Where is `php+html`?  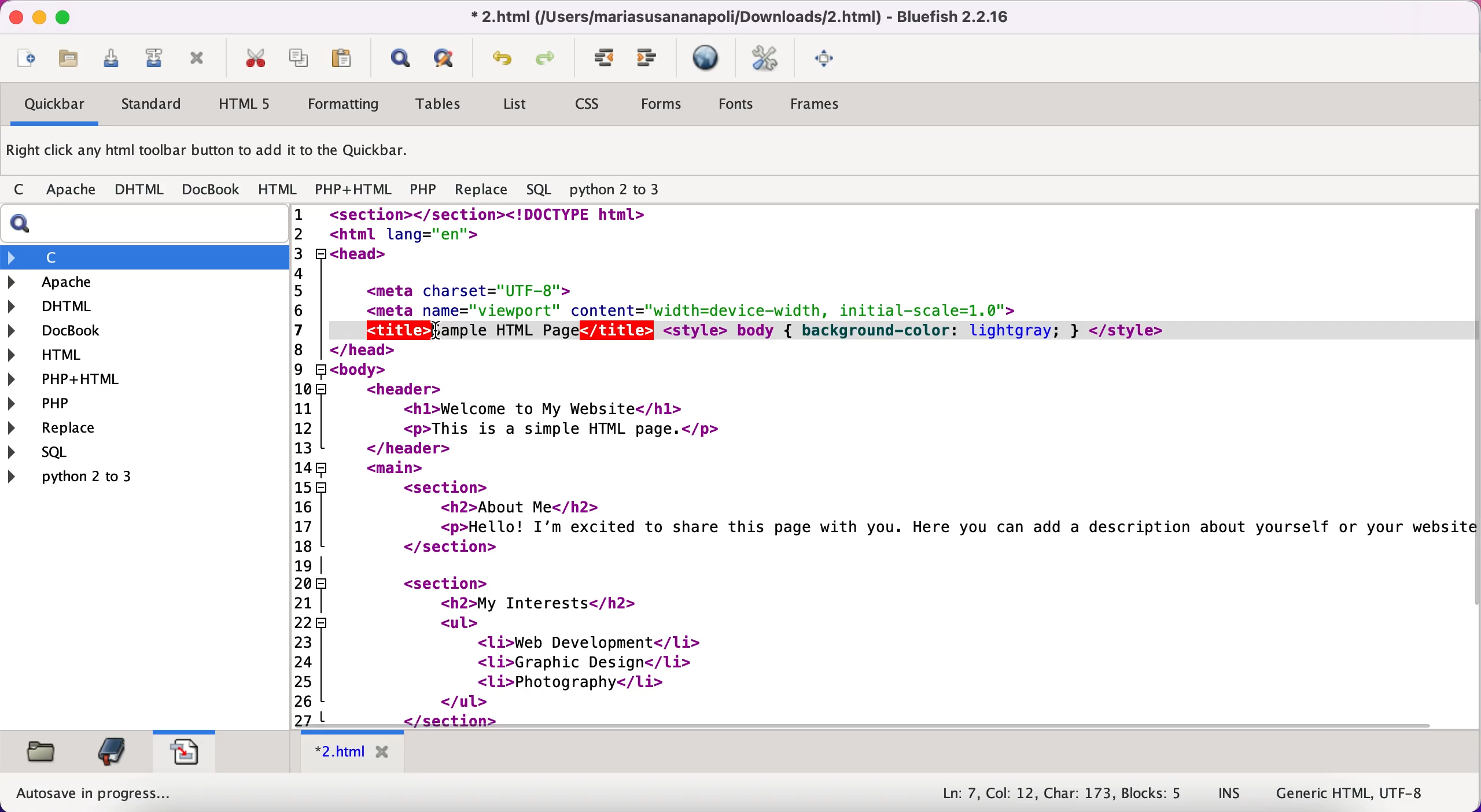 php+html is located at coordinates (73, 380).